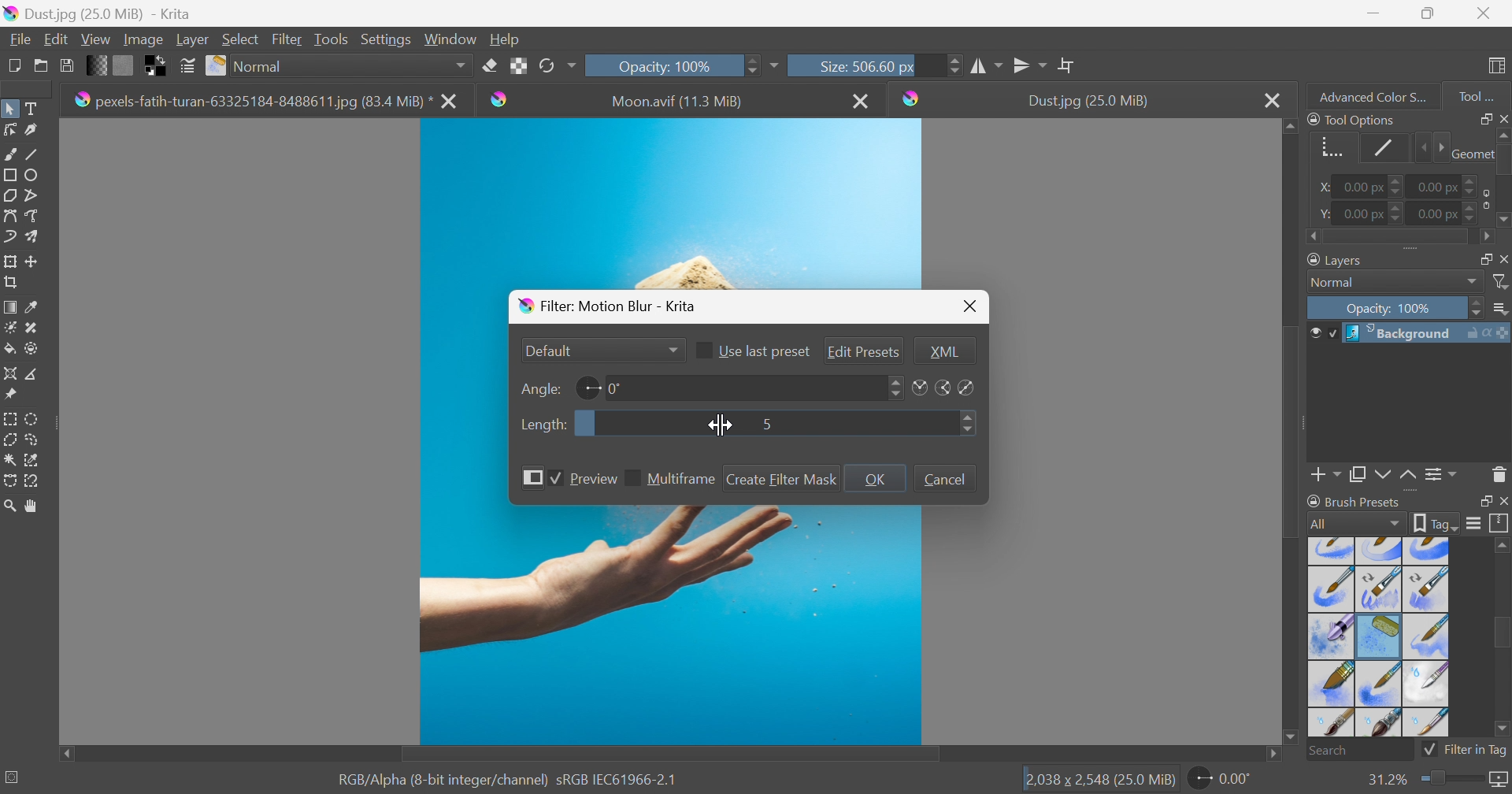  What do you see at coordinates (684, 479) in the screenshot?
I see `Multiframe` at bounding box center [684, 479].